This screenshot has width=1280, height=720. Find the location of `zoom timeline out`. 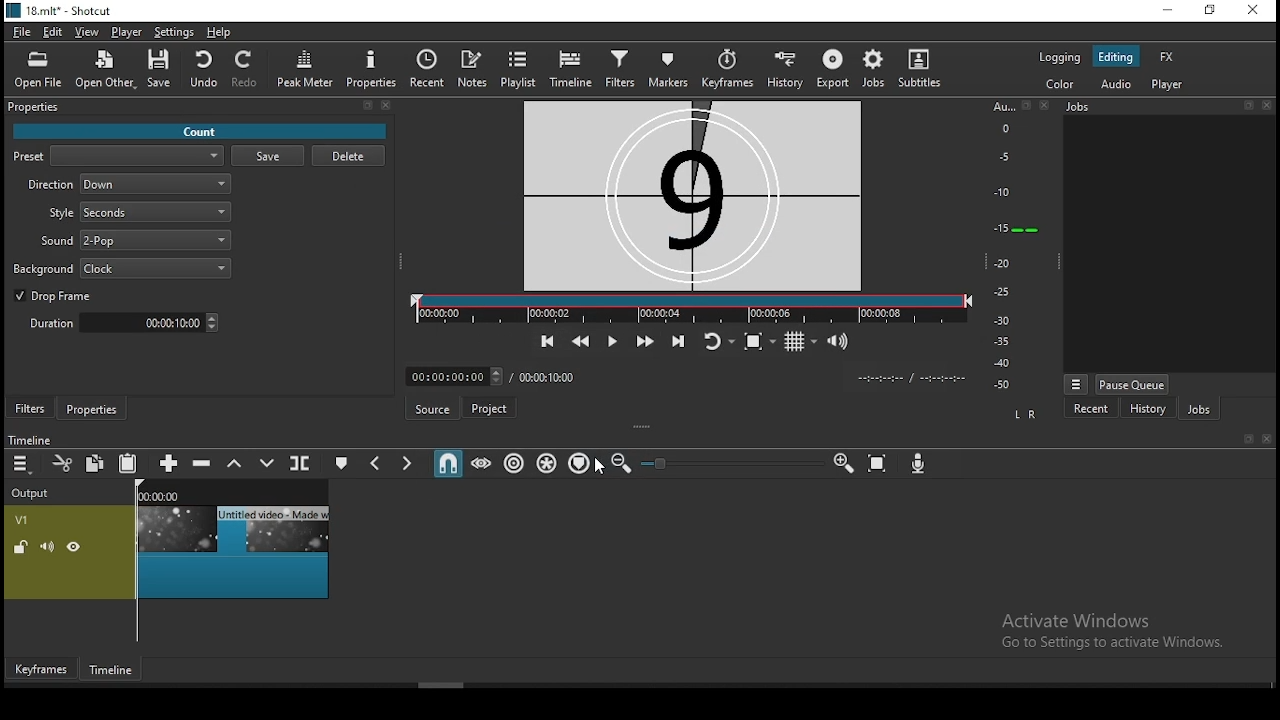

zoom timeline out is located at coordinates (621, 464).